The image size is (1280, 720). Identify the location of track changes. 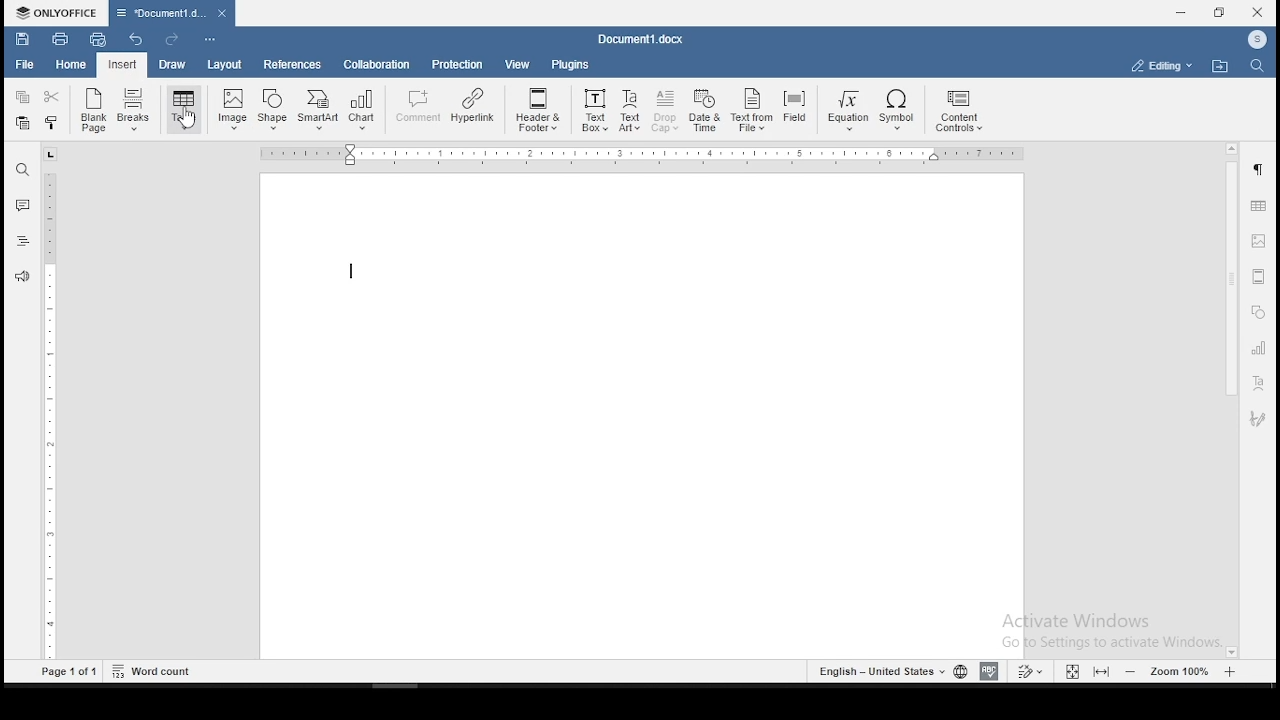
(1032, 670).